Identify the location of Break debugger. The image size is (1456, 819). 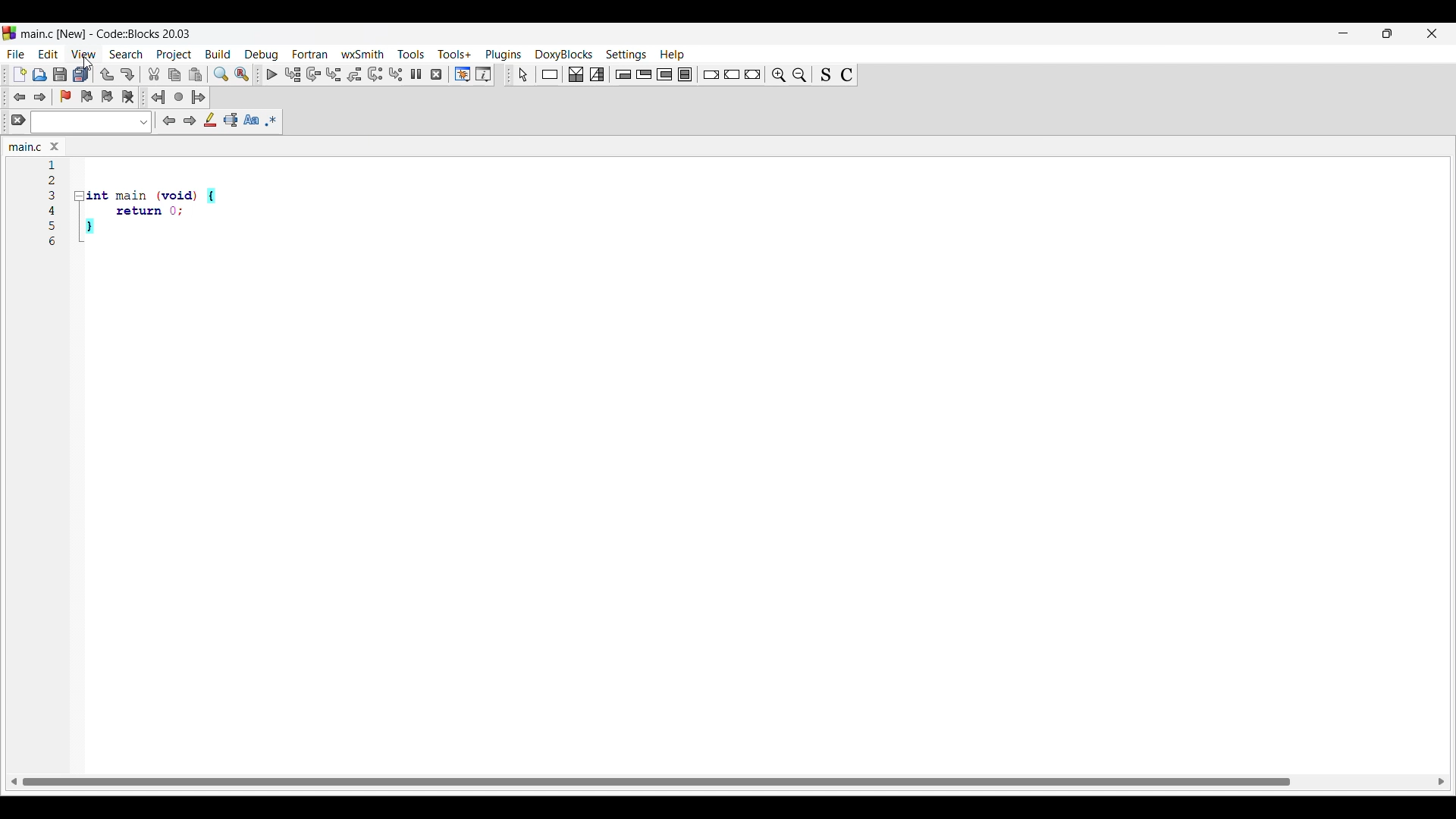
(416, 74).